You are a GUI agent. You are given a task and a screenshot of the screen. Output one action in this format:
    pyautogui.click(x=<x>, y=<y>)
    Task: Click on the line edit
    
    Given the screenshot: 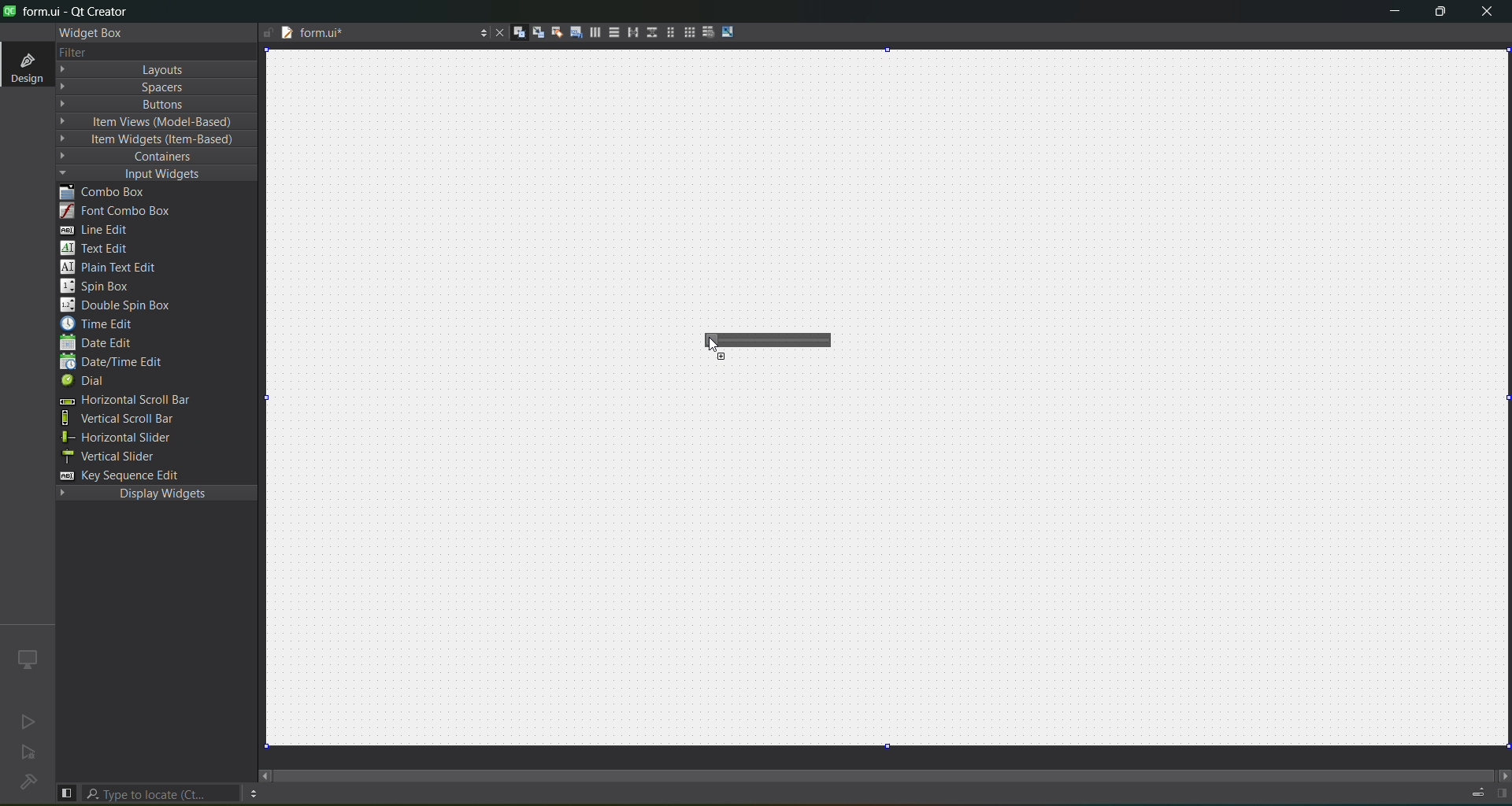 What is the action you would take?
    pyautogui.click(x=98, y=229)
    